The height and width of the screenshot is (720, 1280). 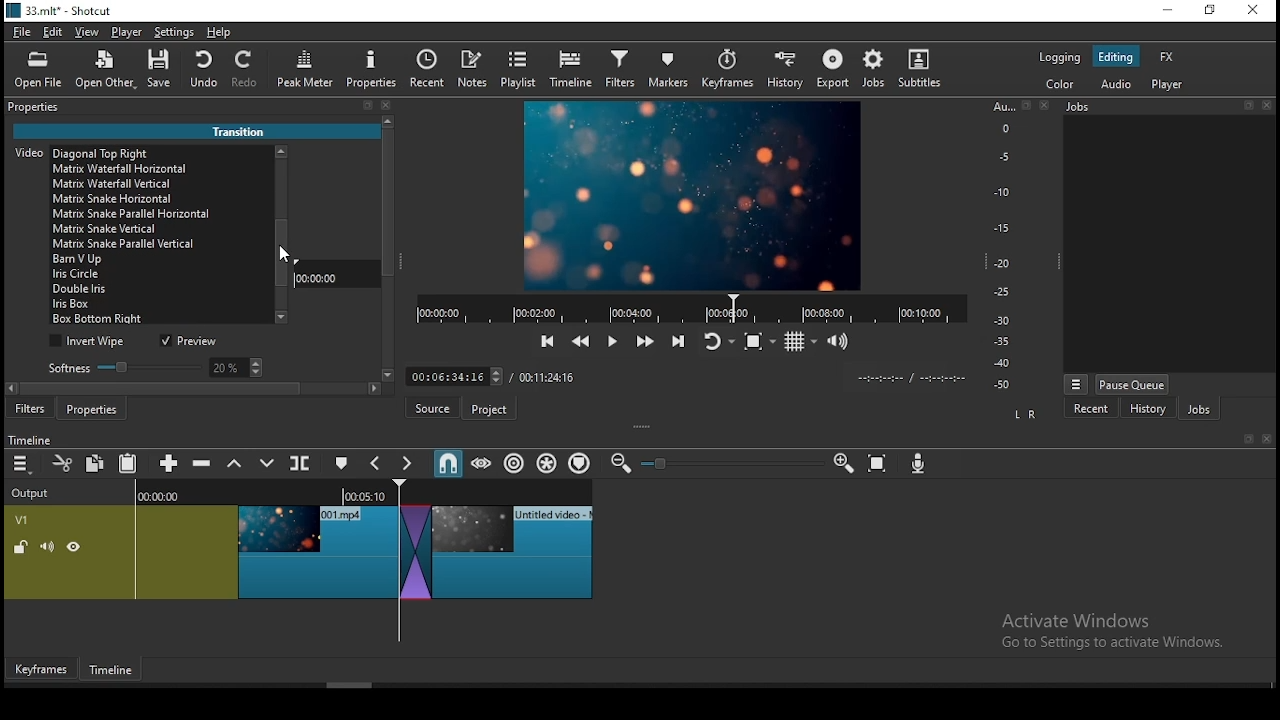 I want to click on undo, so click(x=205, y=70).